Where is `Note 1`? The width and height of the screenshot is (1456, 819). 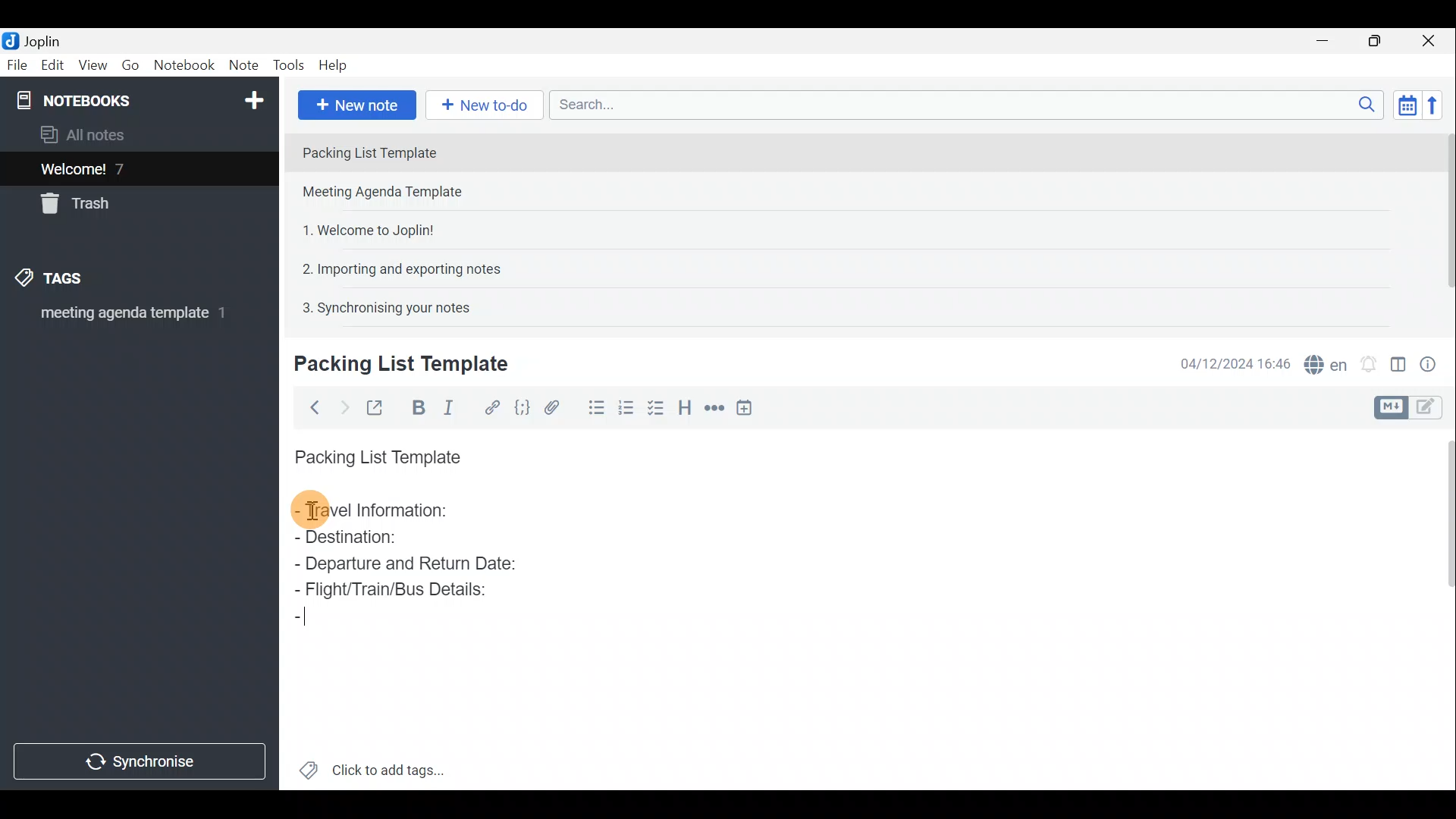 Note 1 is located at coordinates (424, 151).